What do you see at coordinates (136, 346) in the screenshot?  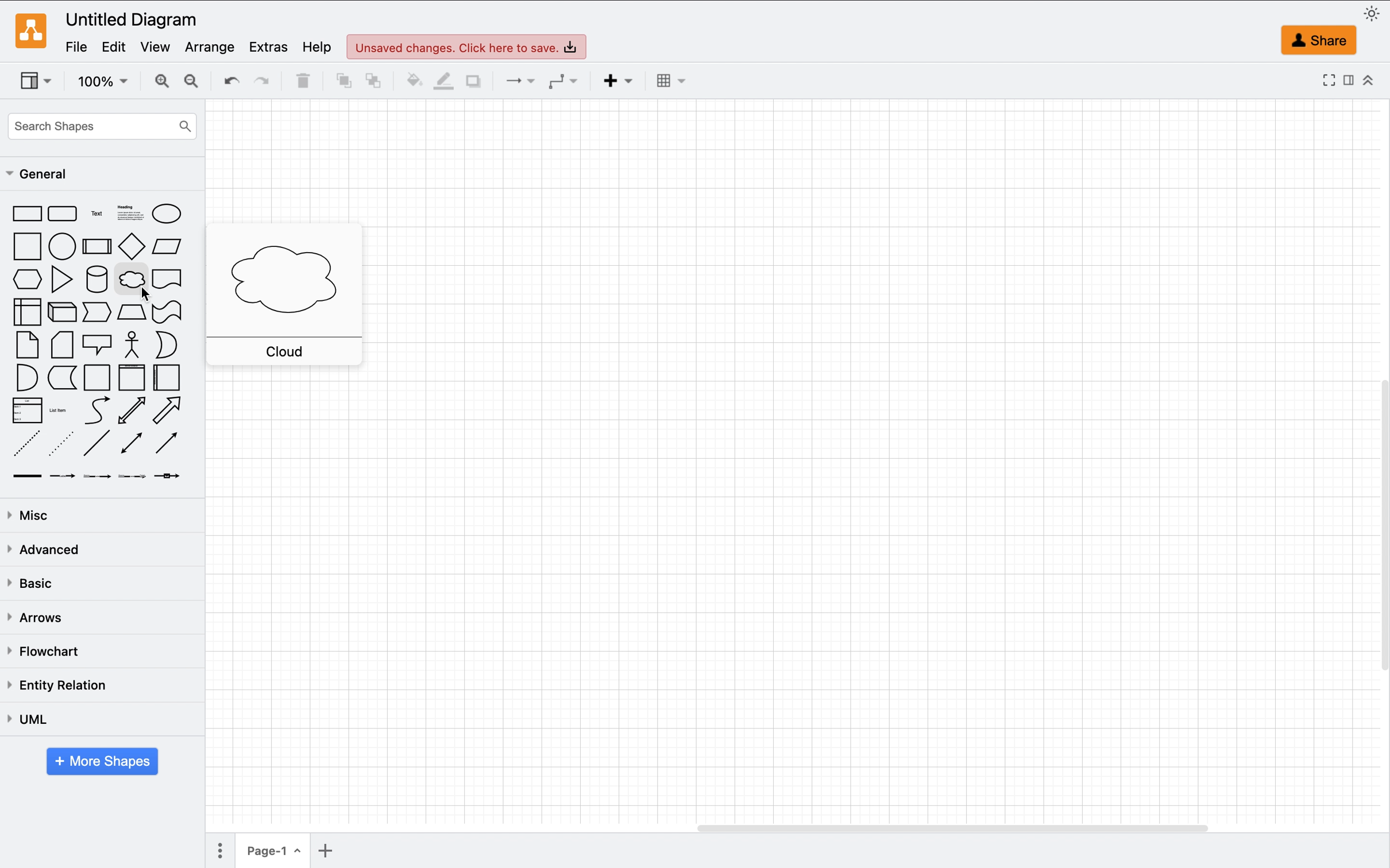 I see `actor` at bounding box center [136, 346].